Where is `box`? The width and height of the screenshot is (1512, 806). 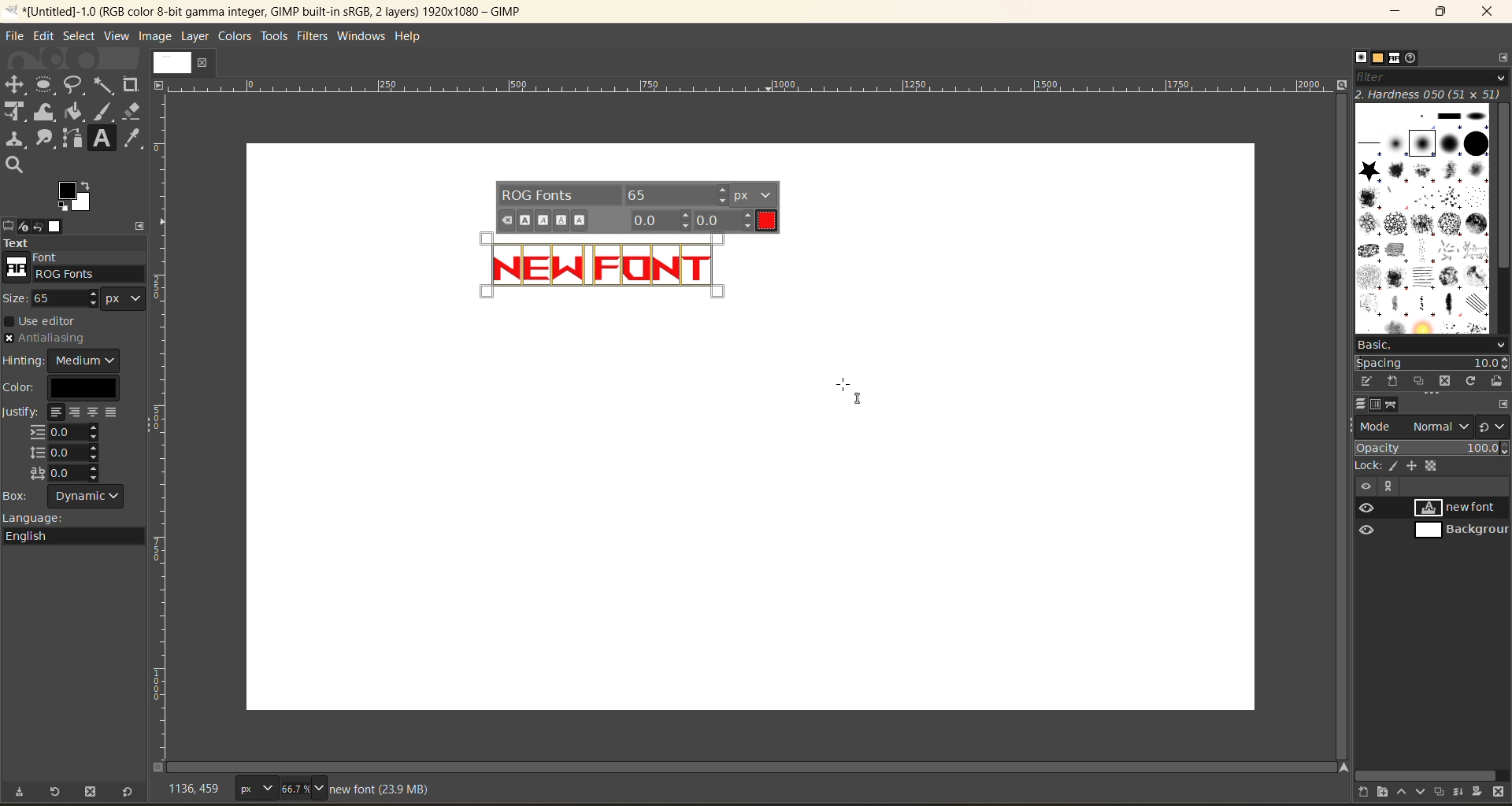 box is located at coordinates (72, 497).